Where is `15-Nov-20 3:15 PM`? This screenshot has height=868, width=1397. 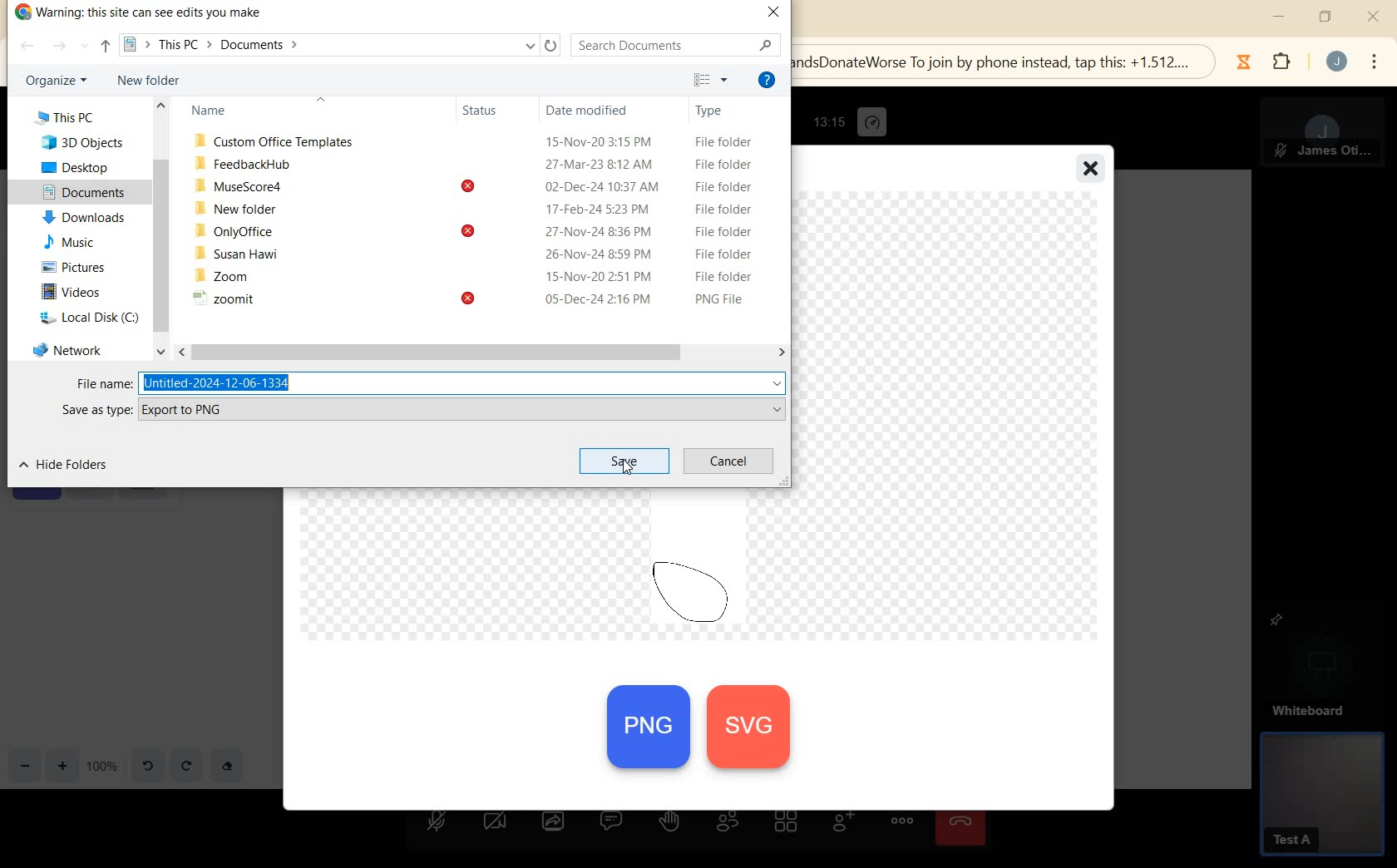 15-Nov-20 3:15 PM is located at coordinates (598, 143).